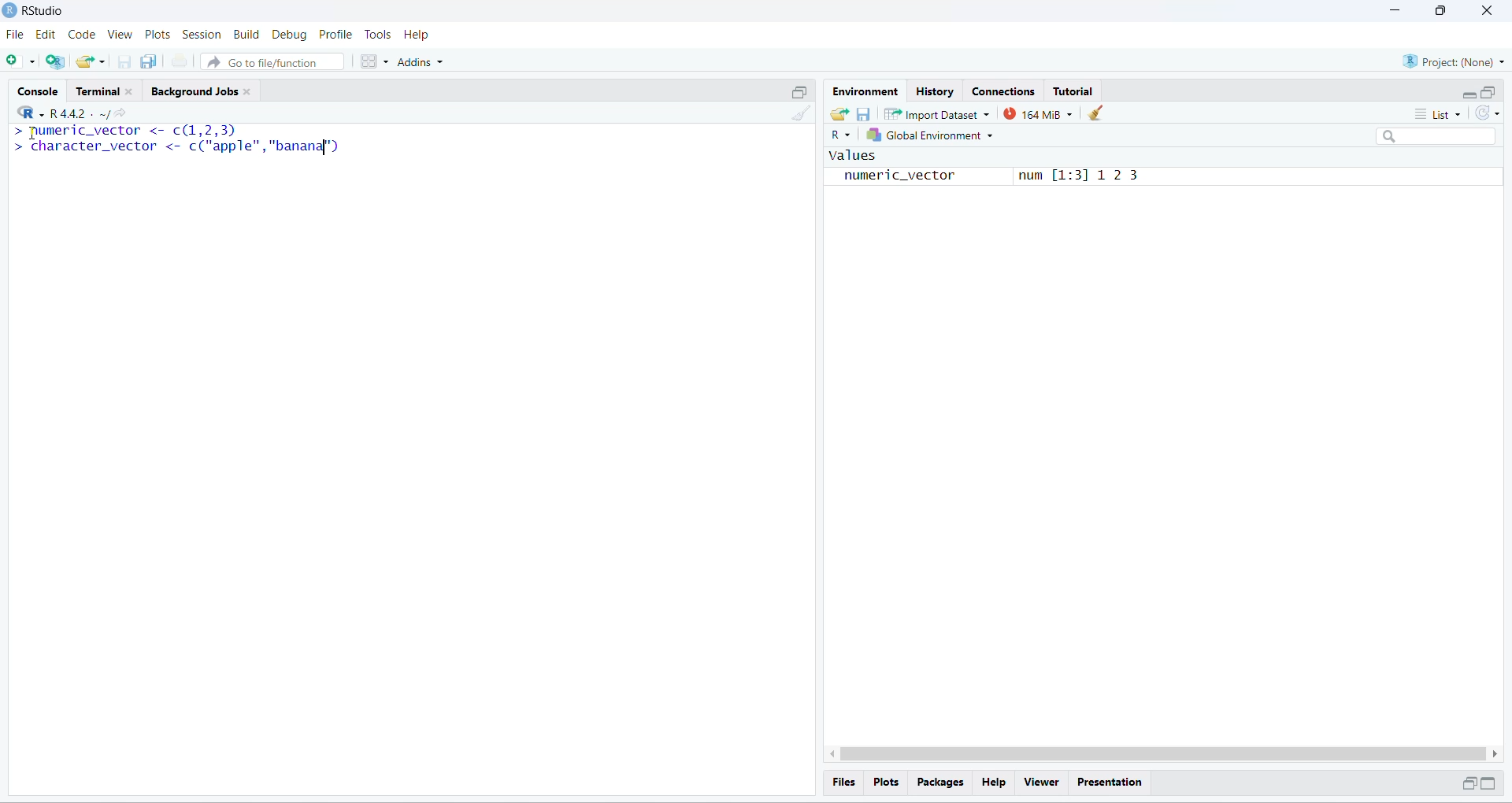 Image resolution: width=1512 pixels, height=803 pixels. Describe the element at coordinates (107, 88) in the screenshot. I see `Terminal` at that location.